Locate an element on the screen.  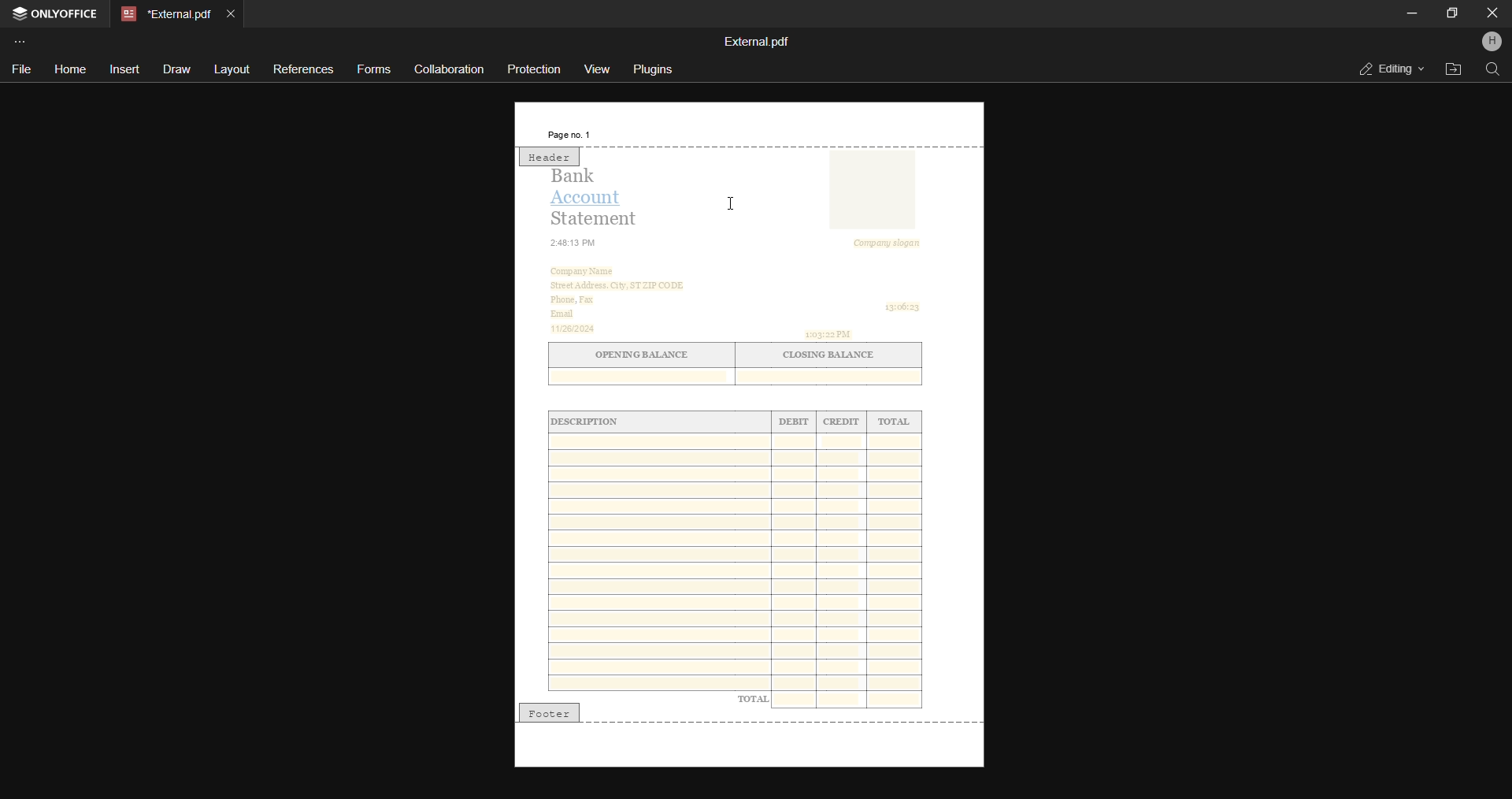
This is a 30 day eviction notice informing tenants that they must either pay overdue rent, correct a lease violation, or vacate the premises due to illegal activity. Failure to comply will result in legal actions. is located at coordinates (751, 456).